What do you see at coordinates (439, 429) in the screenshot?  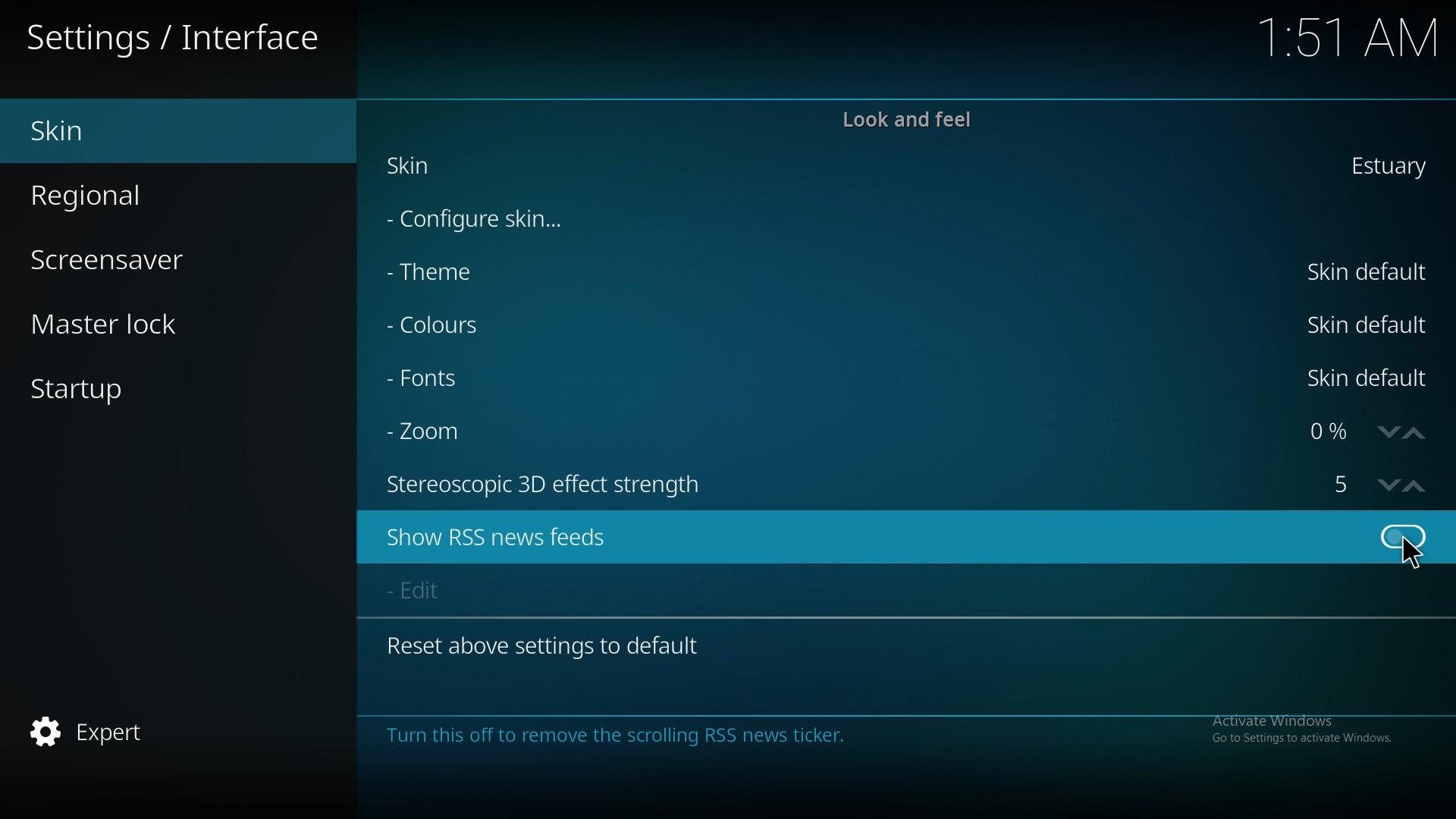 I see `zoom` at bounding box center [439, 429].